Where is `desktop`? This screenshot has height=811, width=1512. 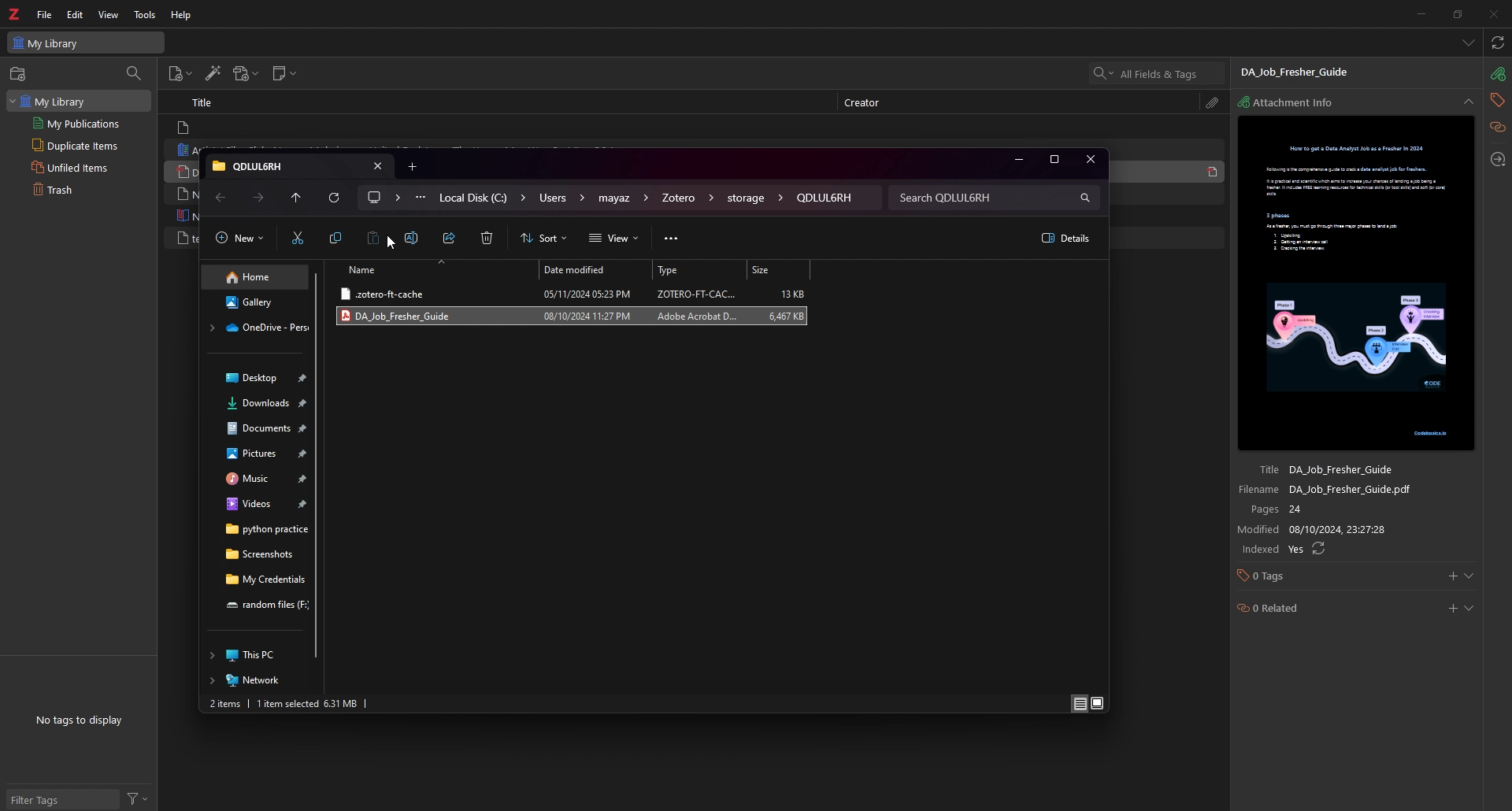 desktop is located at coordinates (258, 378).